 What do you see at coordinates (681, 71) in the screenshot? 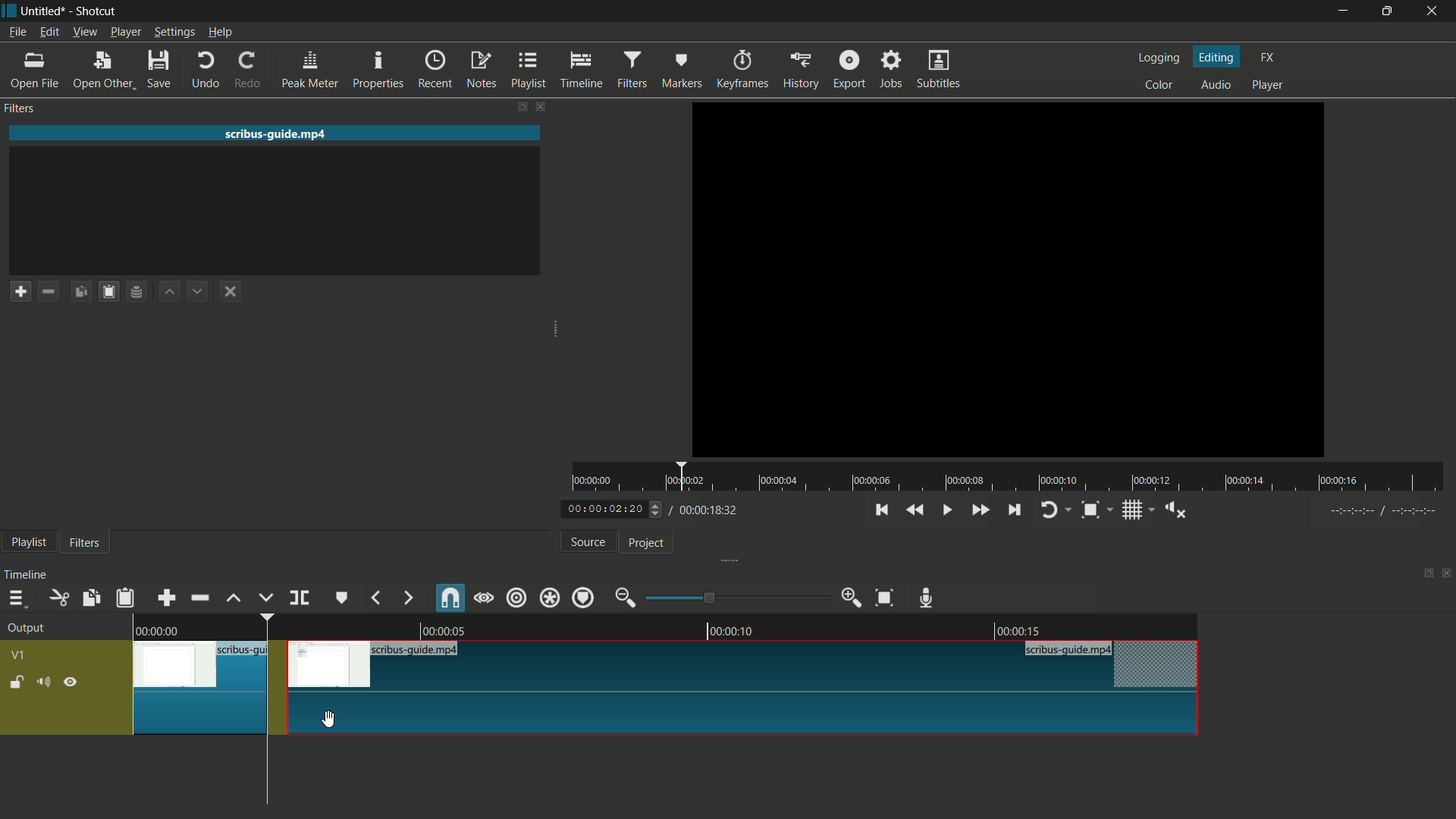
I see `markers` at bounding box center [681, 71].